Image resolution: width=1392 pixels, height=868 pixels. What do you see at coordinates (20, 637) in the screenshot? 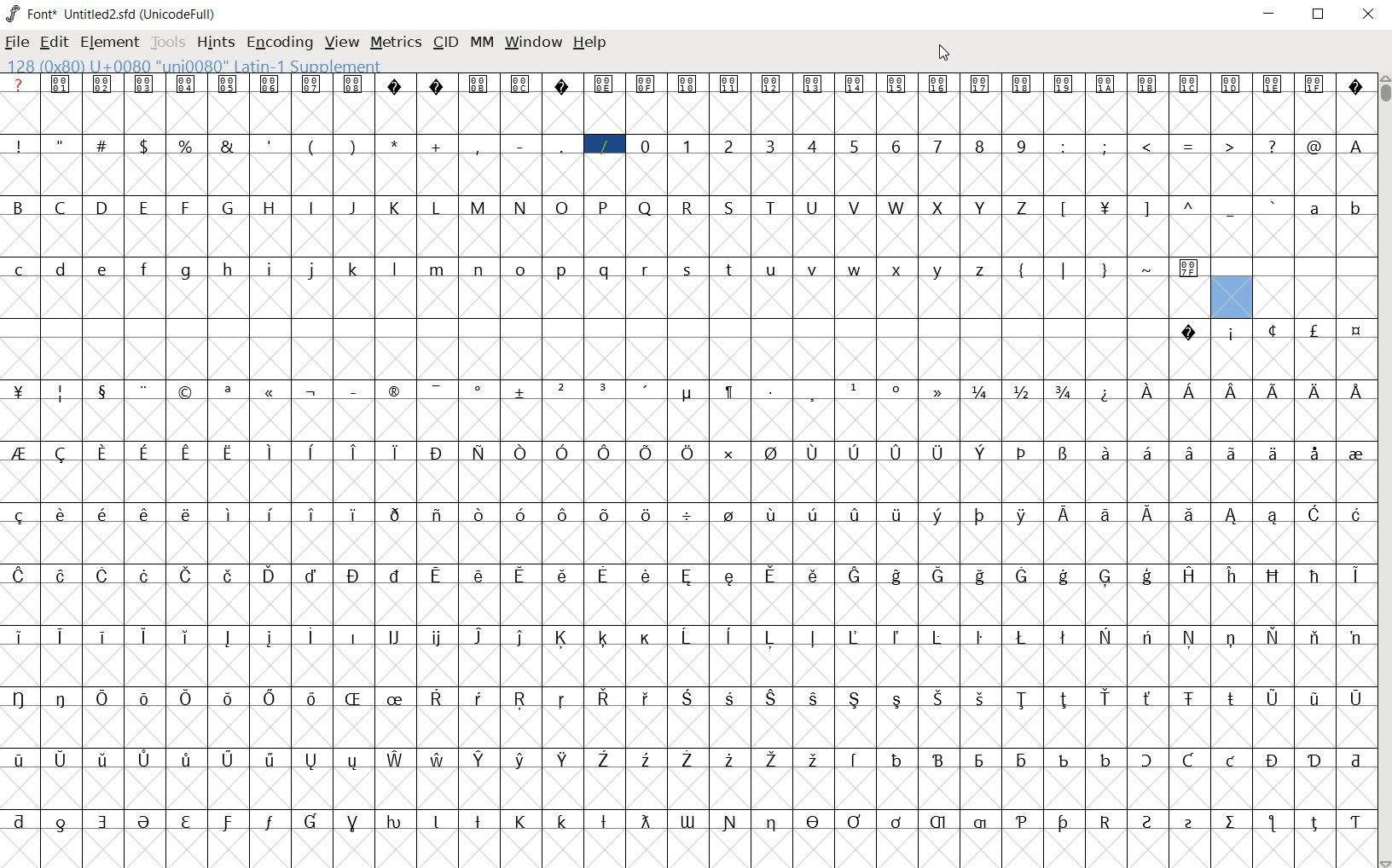
I see `glyph` at bounding box center [20, 637].